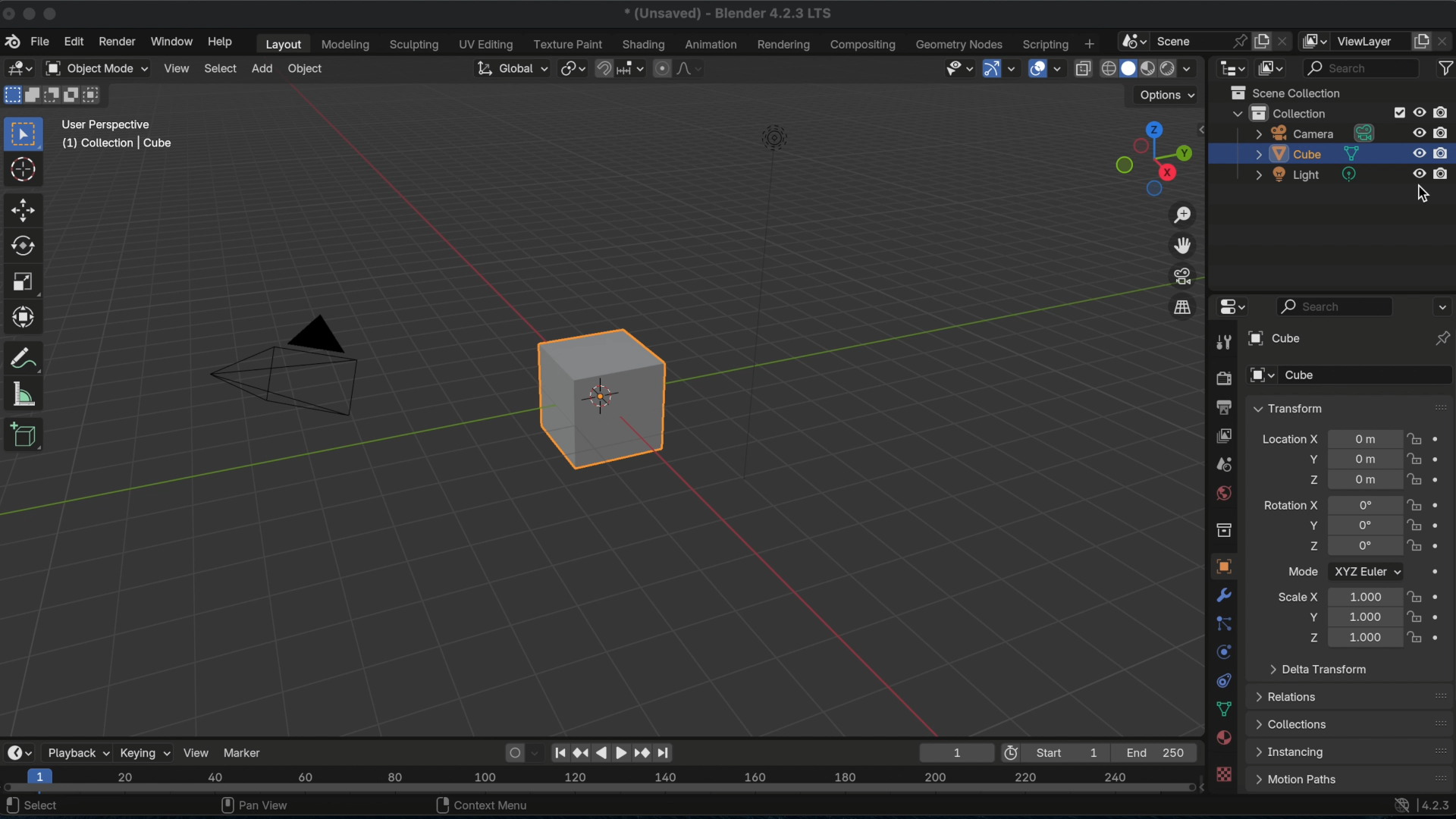 The width and height of the screenshot is (1456, 819). Describe the element at coordinates (1398, 112) in the screenshot. I see `exclude from view layer` at that location.